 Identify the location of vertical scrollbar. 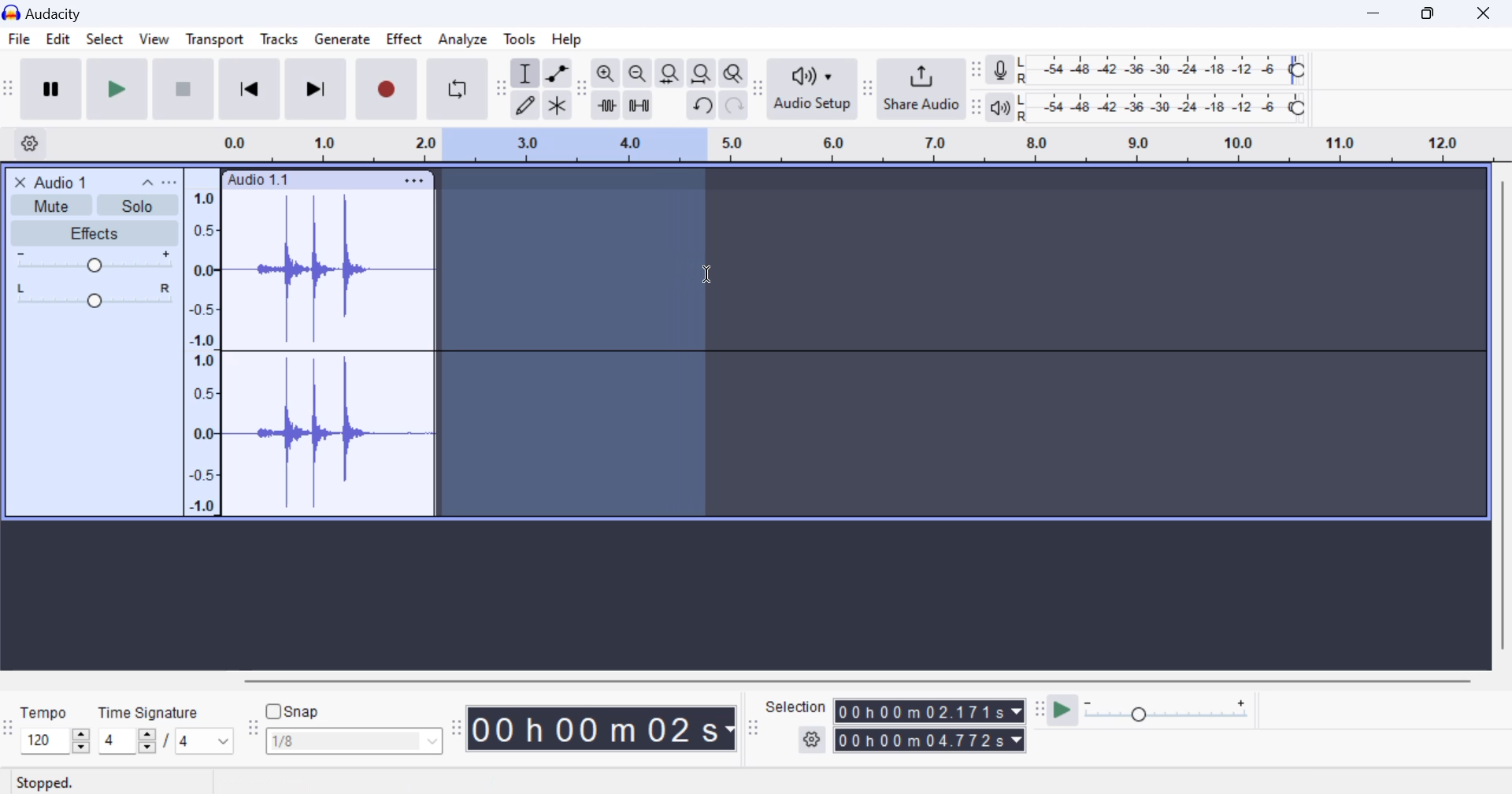
(1501, 421).